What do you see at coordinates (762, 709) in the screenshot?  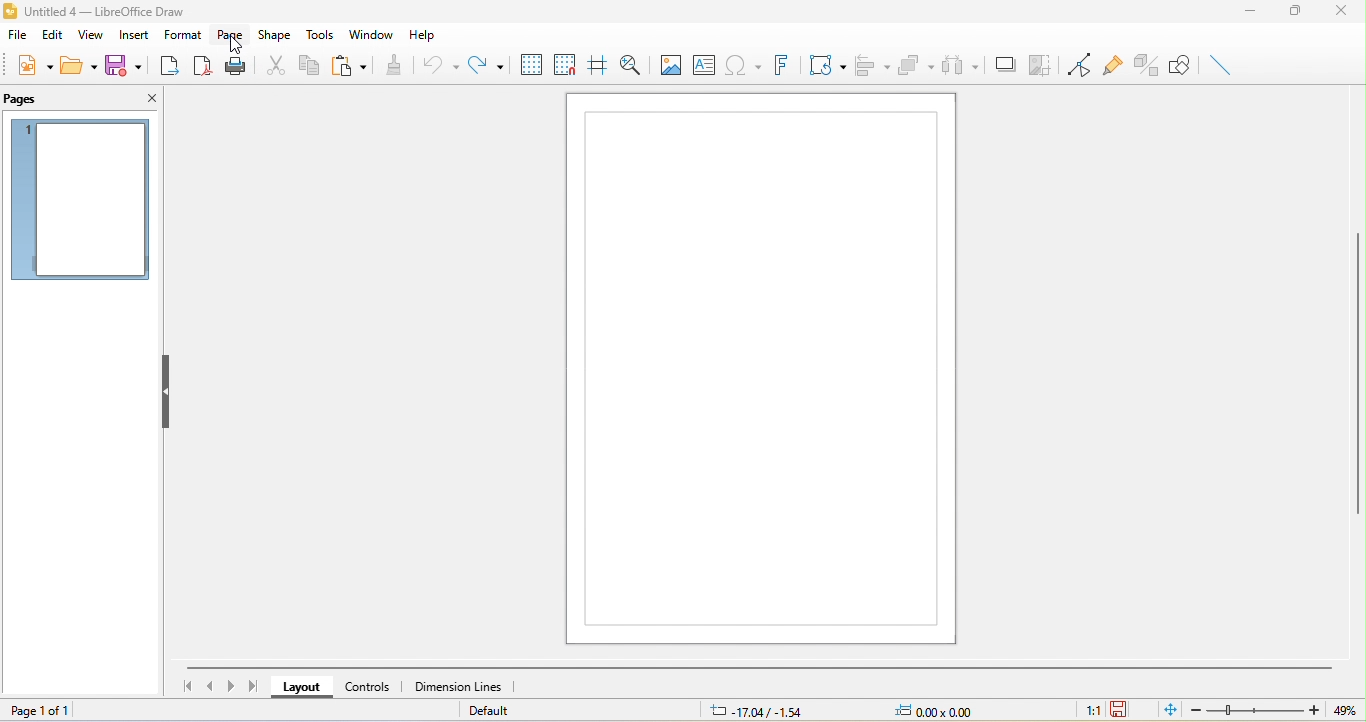 I see `-17.04/-1.54` at bounding box center [762, 709].